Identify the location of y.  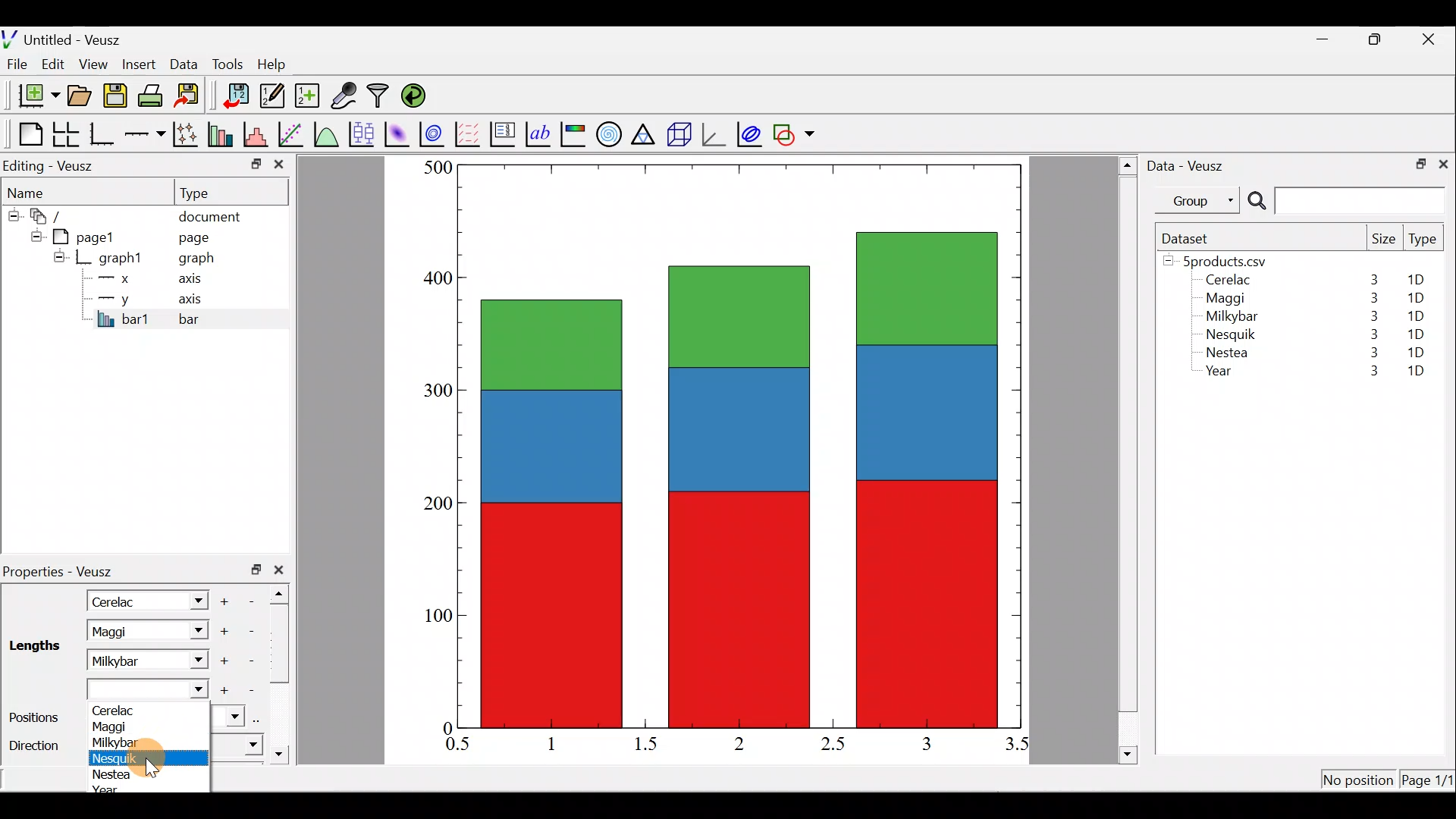
(114, 297).